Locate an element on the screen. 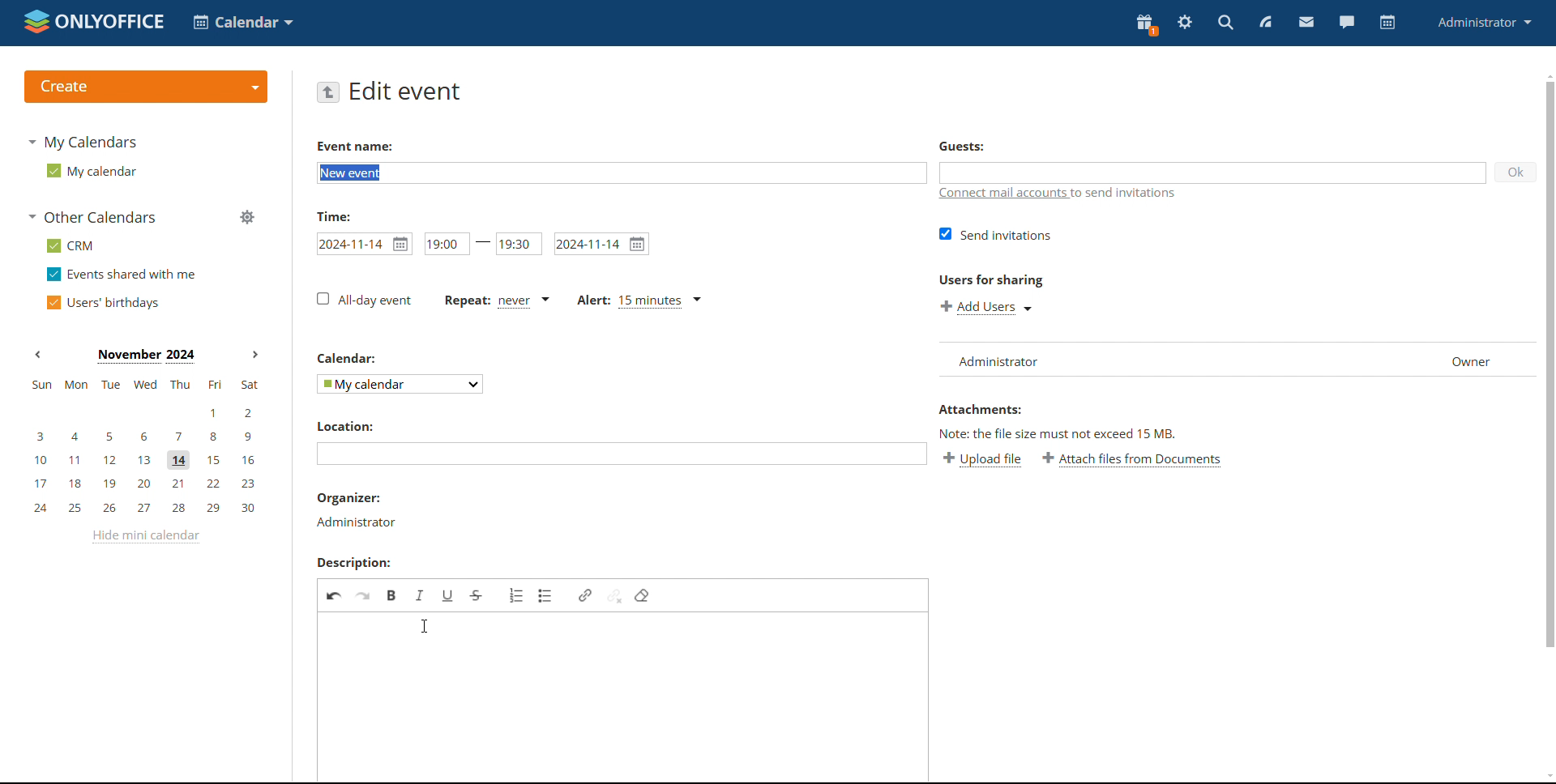 This screenshot has height=784, width=1556. undo is located at coordinates (333, 594).